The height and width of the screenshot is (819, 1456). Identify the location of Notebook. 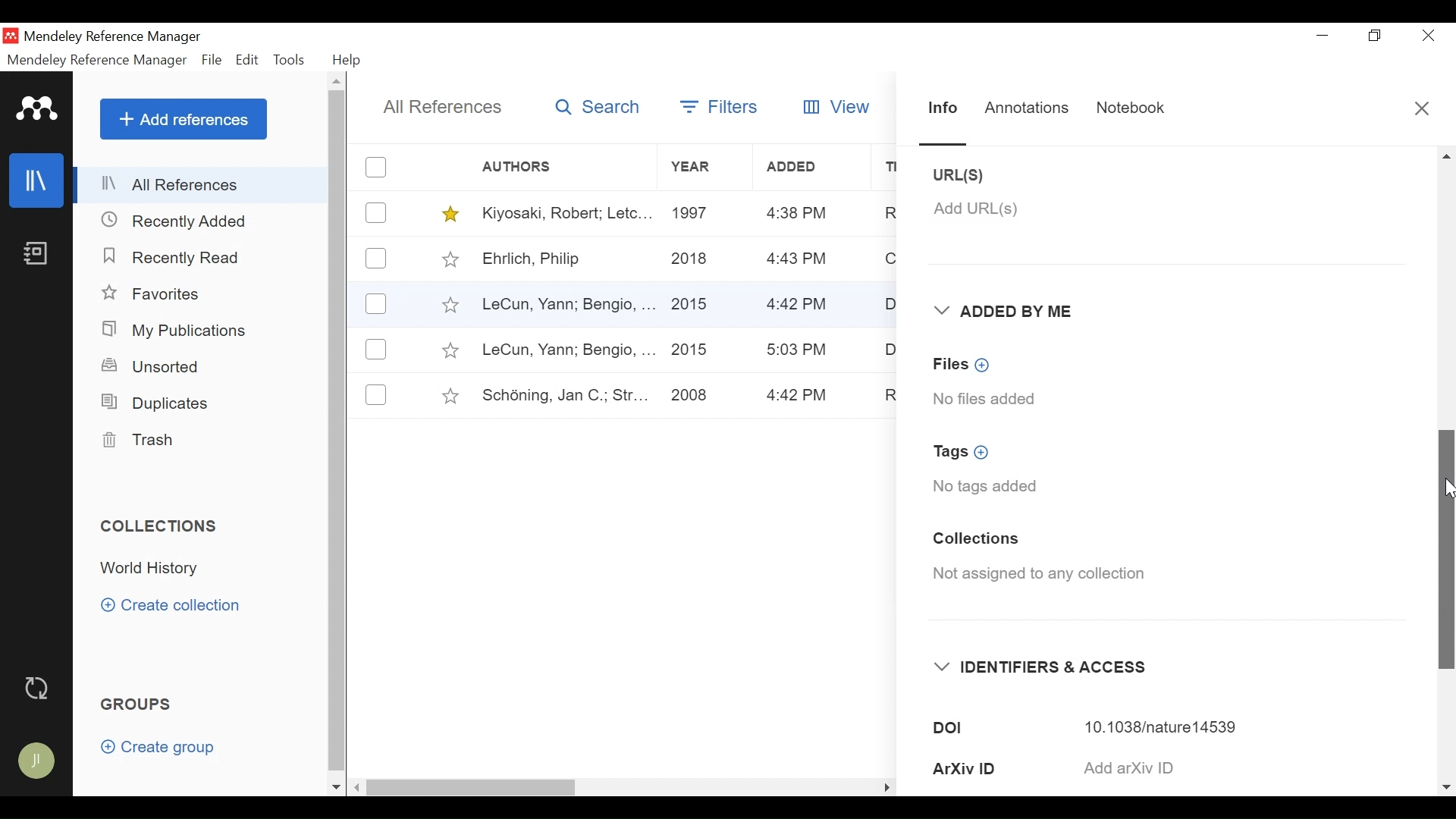
(35, 255).